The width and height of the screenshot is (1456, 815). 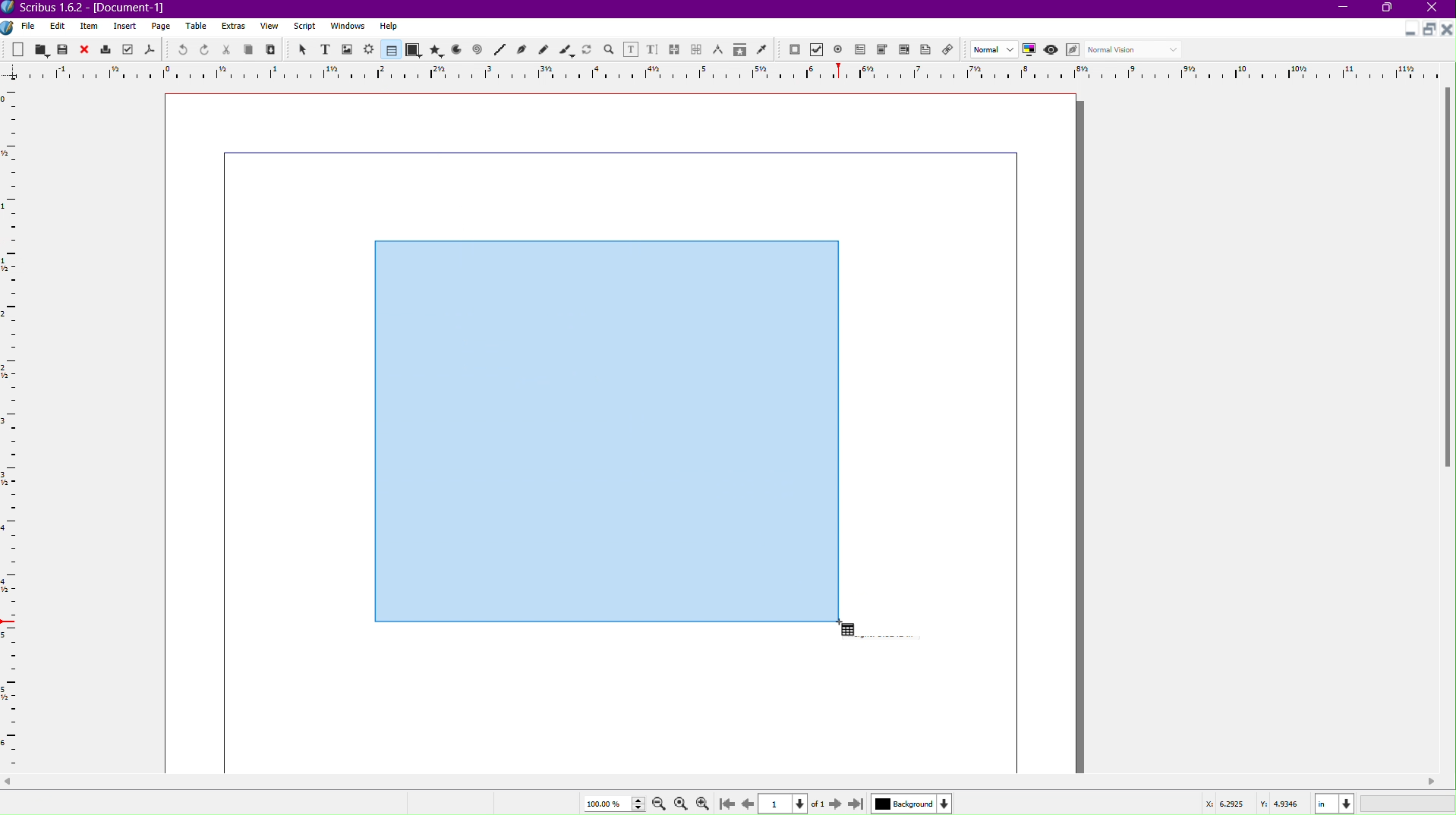 What do you see at coordinates (17, 428) in the screenshot?
I see `Ruler Line` at bounding box center [17, 428].